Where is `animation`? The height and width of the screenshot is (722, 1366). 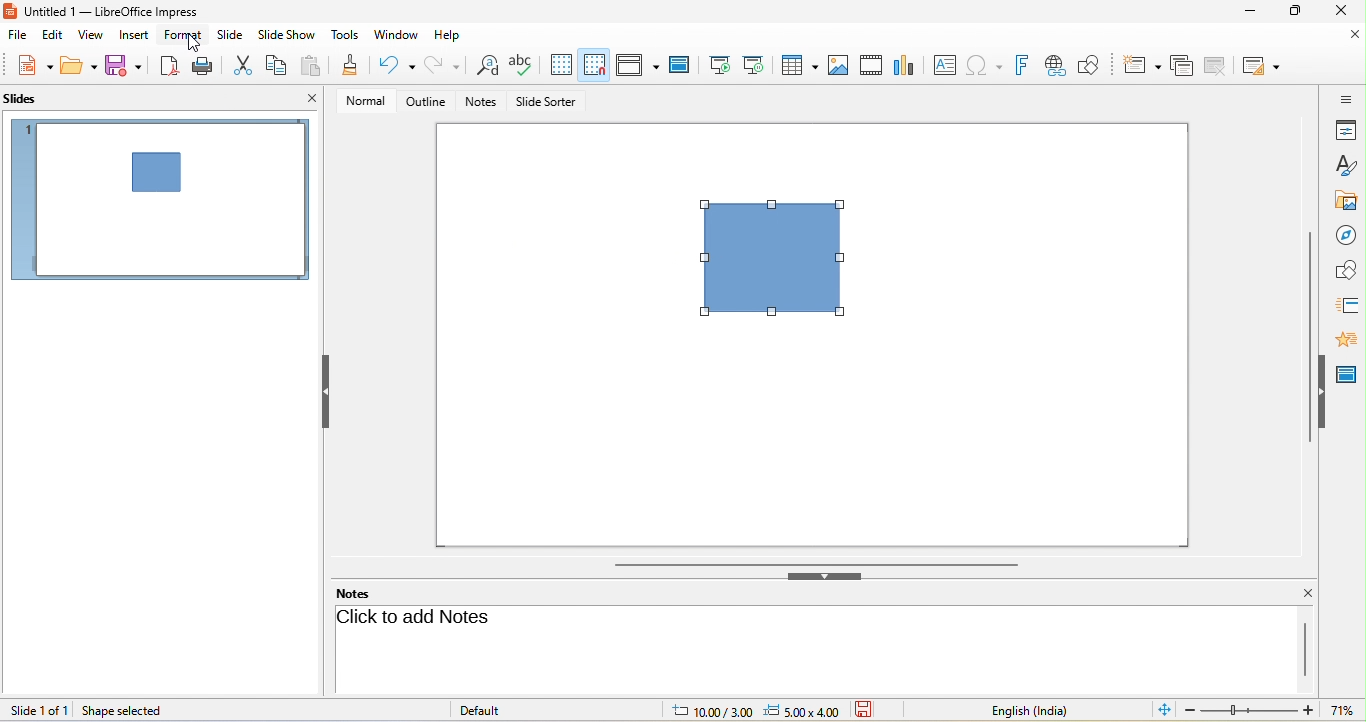
animation is located at coordinates (1351, 339).